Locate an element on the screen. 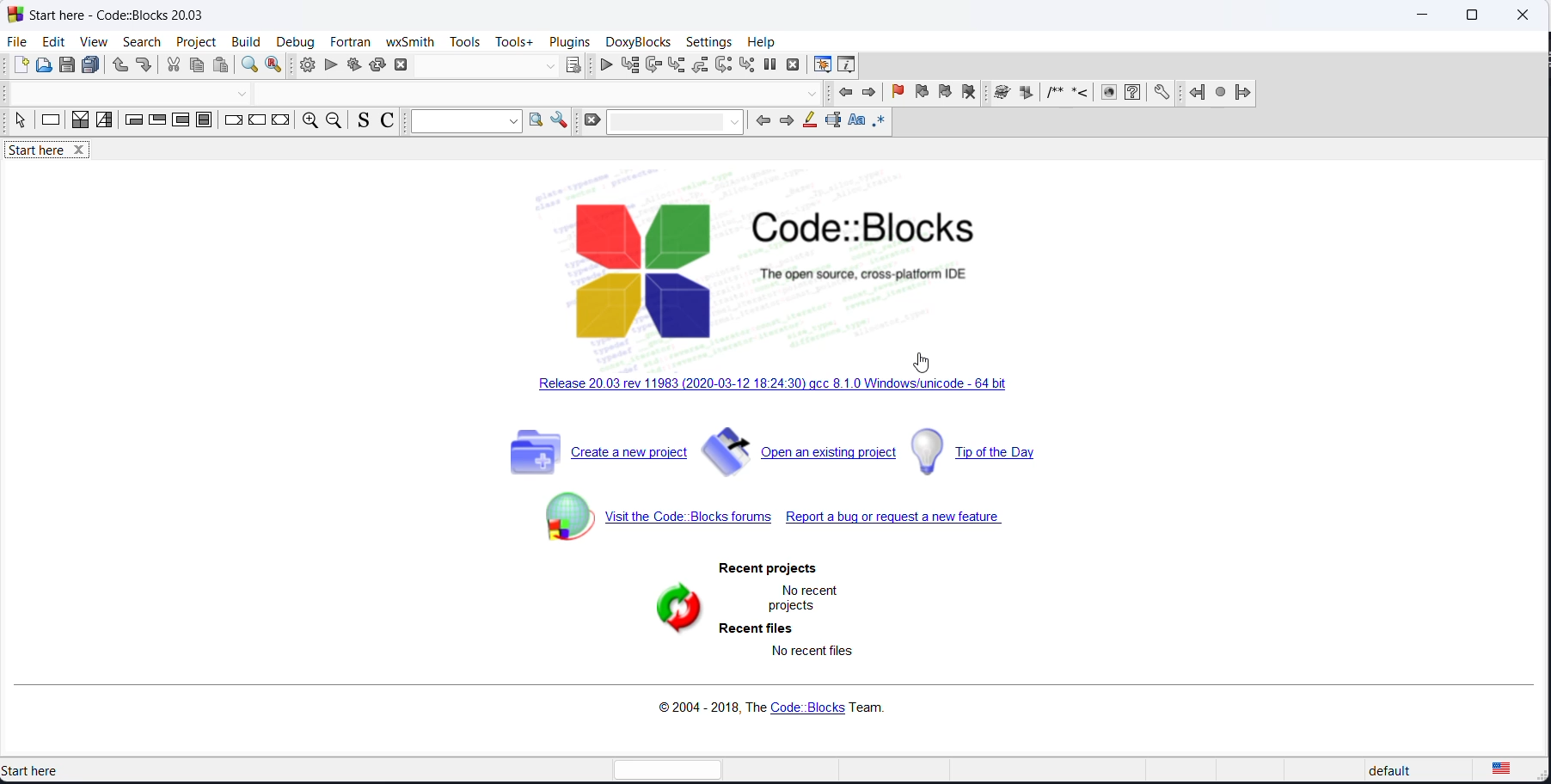 The height and width of the screenshot is (784, 1551). dropdown is located at coordinates (468, 121).